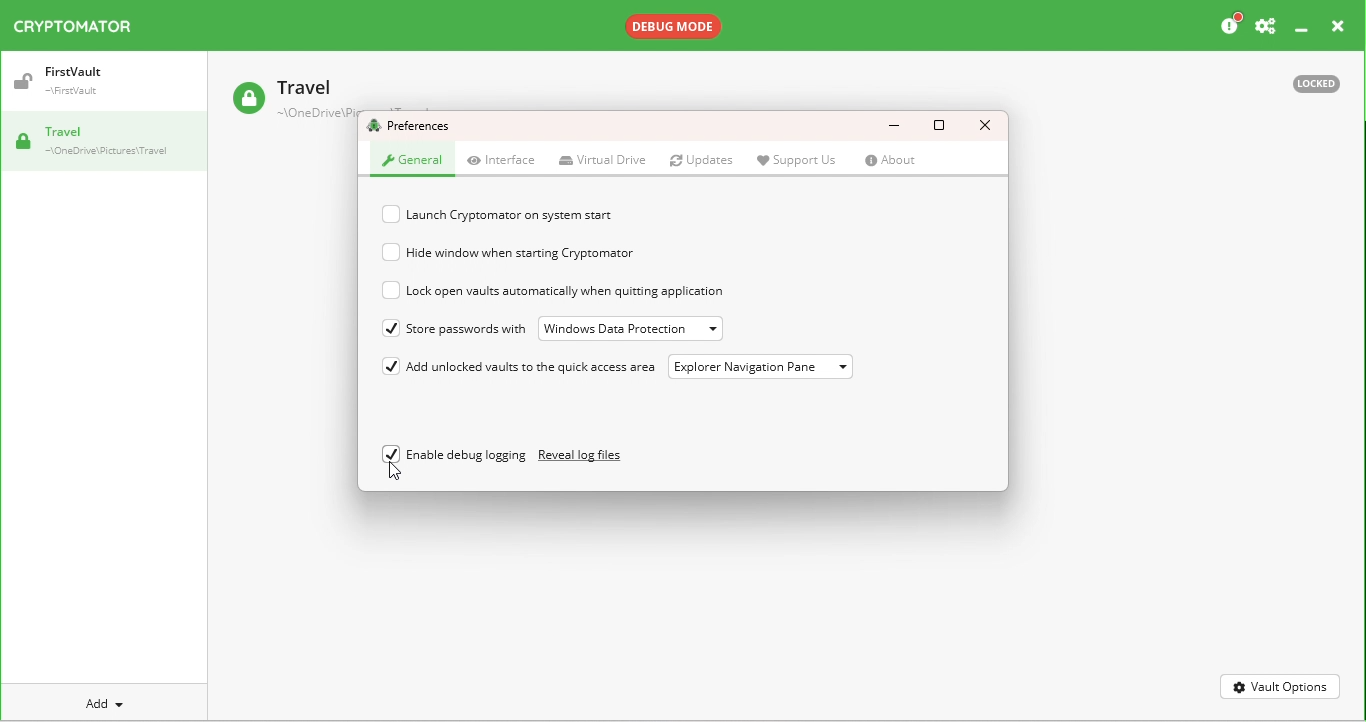 This screenshot has width=1366, height=722. I want to click on firstVault, so click(82, 84).